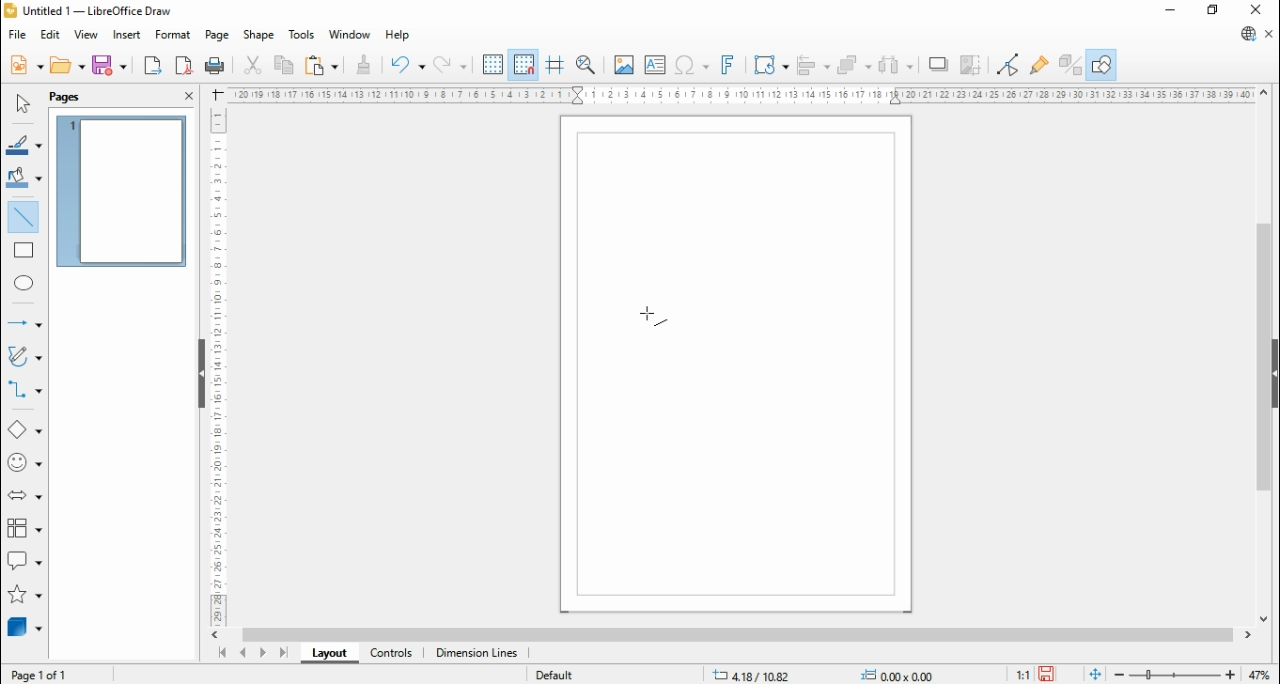  What do you see at coordinates (940, 64) in the screenshot?
I see `shadow` at bounding box center [940, 64].